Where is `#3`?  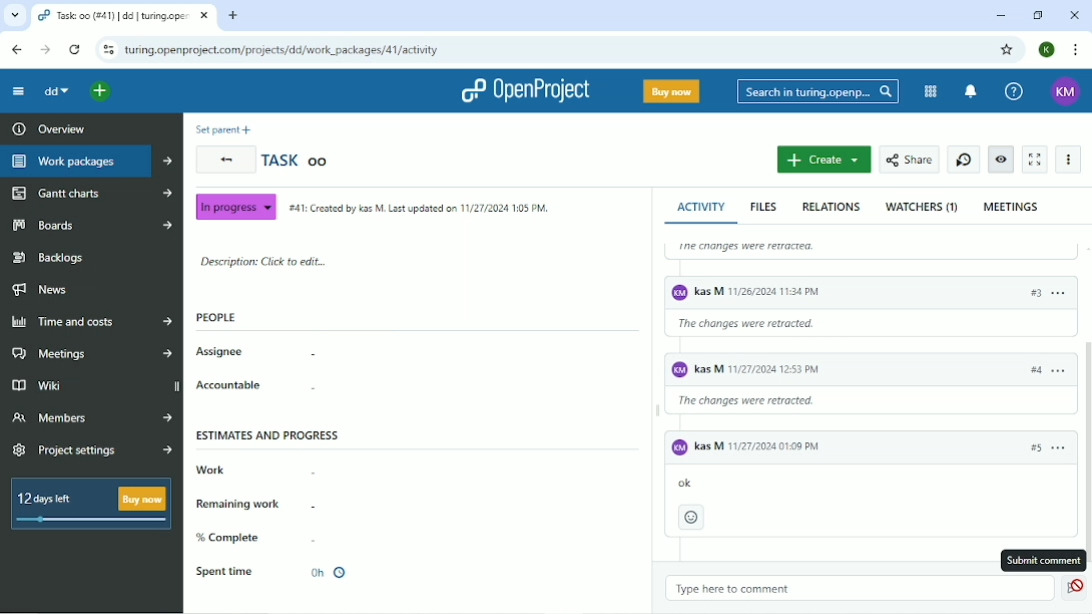
#3 is located at coordinates (1031, 291).